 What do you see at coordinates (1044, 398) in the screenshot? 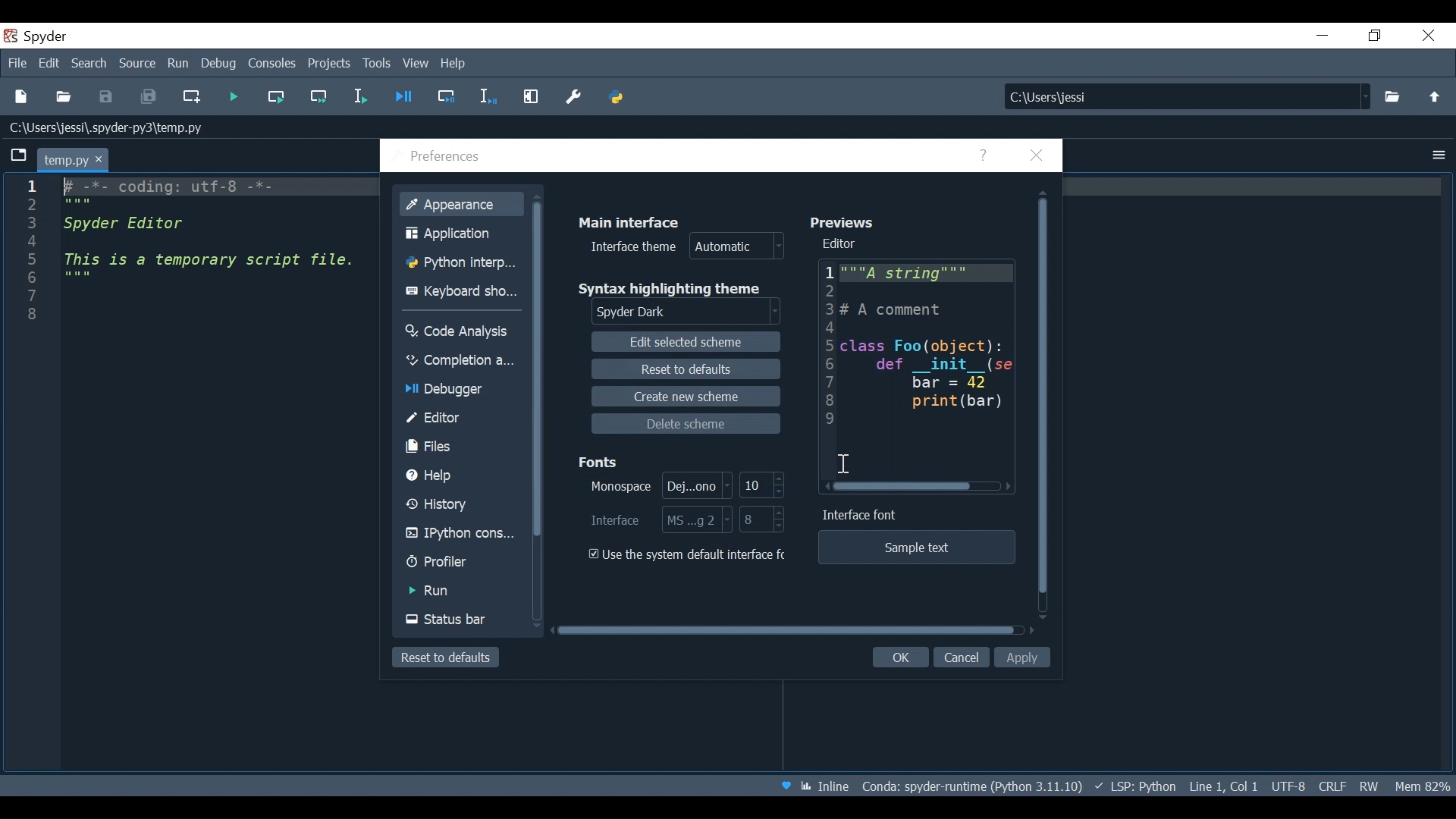
I see `Vertical Scroll bar` at bounding box center [1044, 398].